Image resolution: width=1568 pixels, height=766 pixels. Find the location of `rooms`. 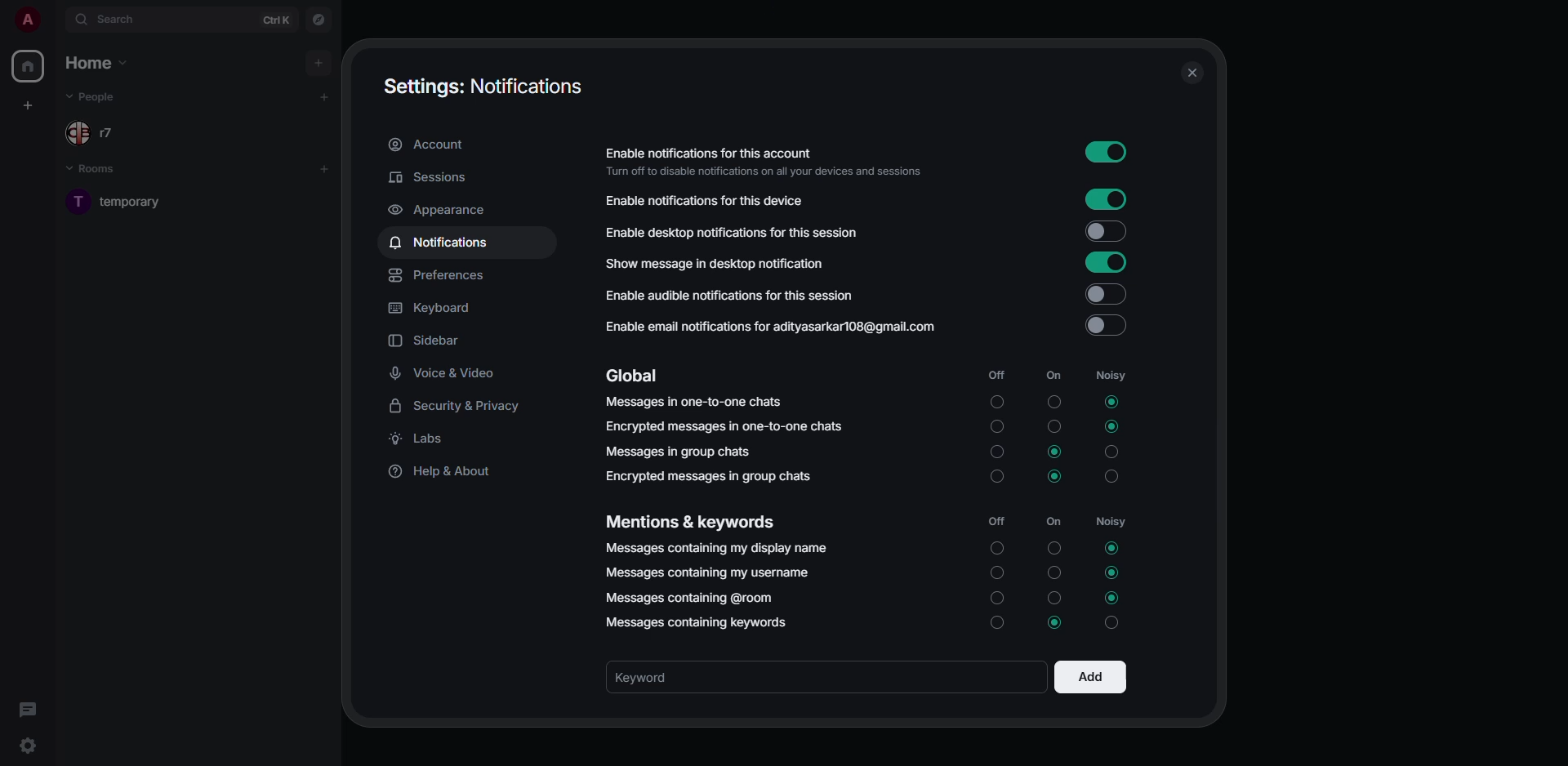

rooms is located at coordinates (101, 170).